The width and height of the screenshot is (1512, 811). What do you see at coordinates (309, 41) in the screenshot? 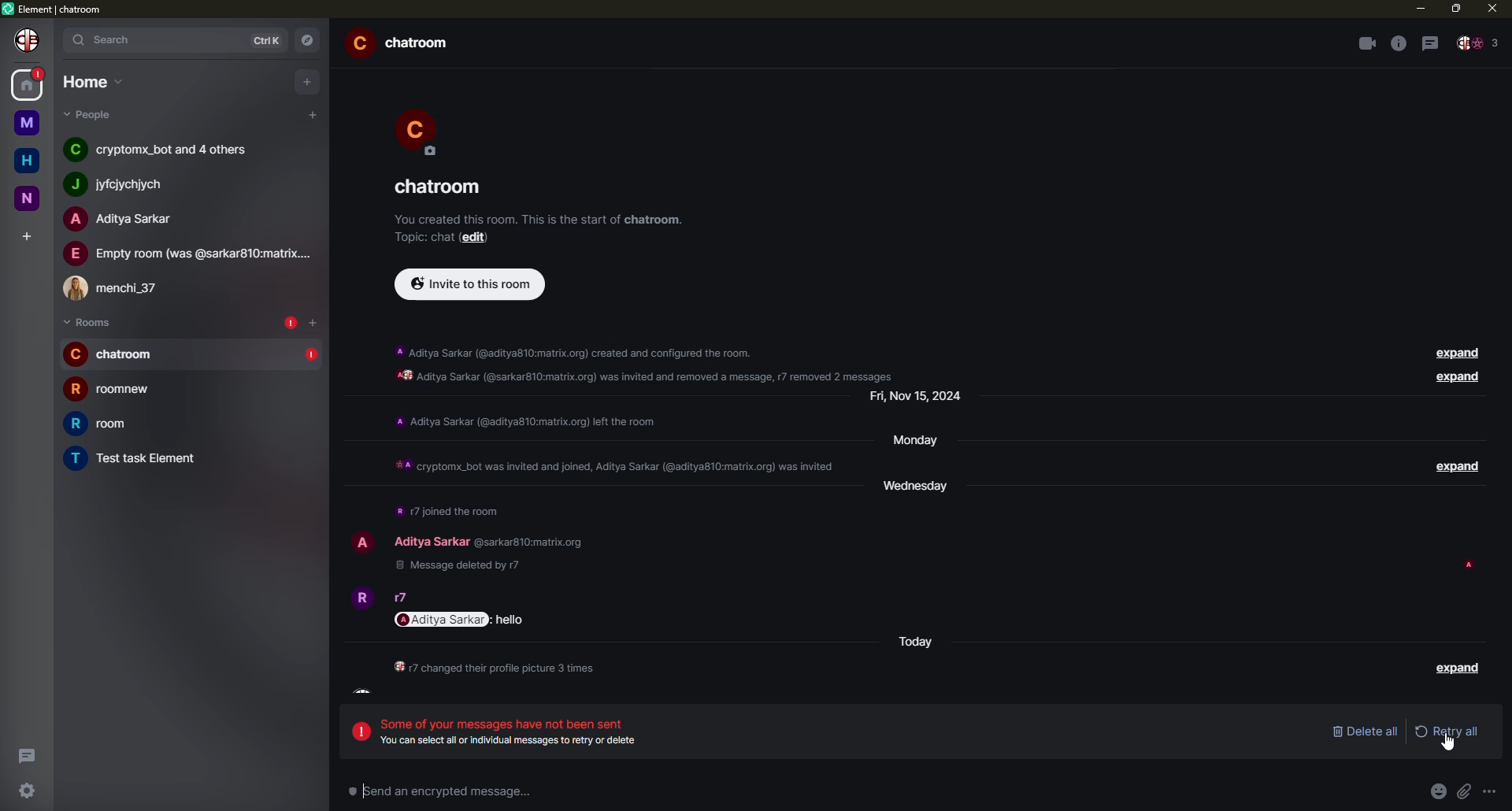
I see `navigator` at bounding box center [309, 41].